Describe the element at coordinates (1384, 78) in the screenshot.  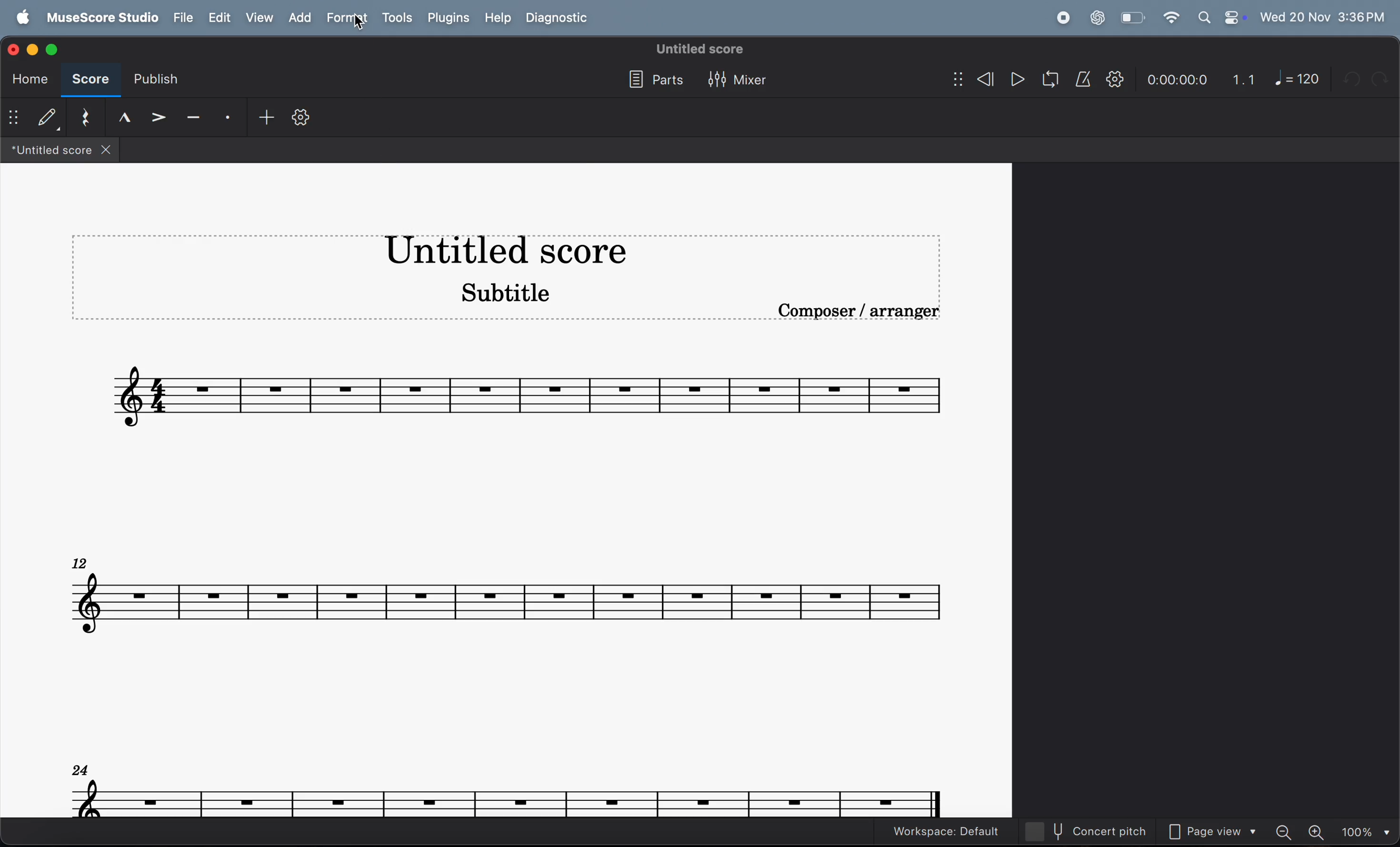
I see `Redo` at that location.